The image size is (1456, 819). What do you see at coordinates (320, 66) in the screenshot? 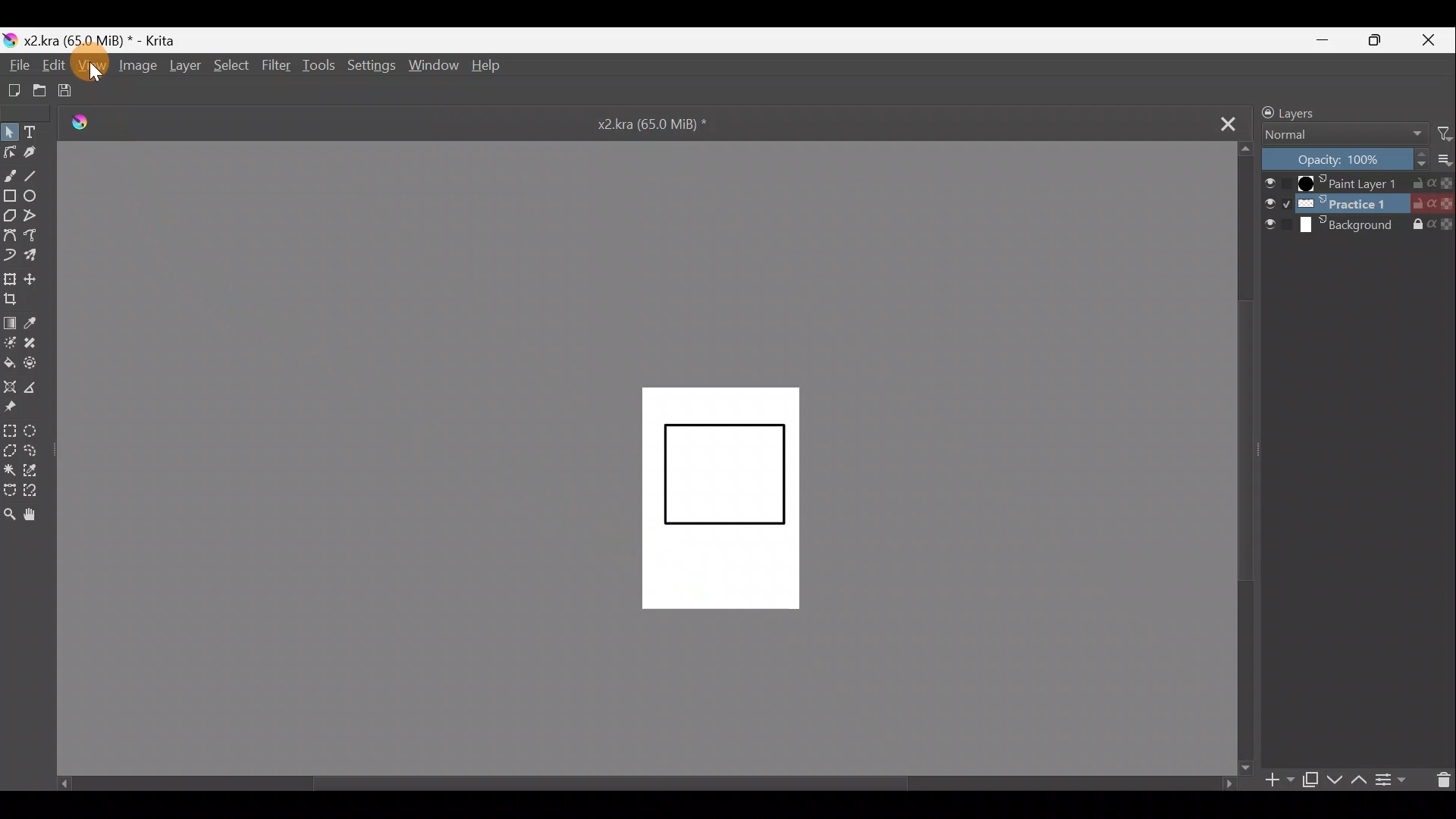
I see `Tools` at bounding box center [320, 66].